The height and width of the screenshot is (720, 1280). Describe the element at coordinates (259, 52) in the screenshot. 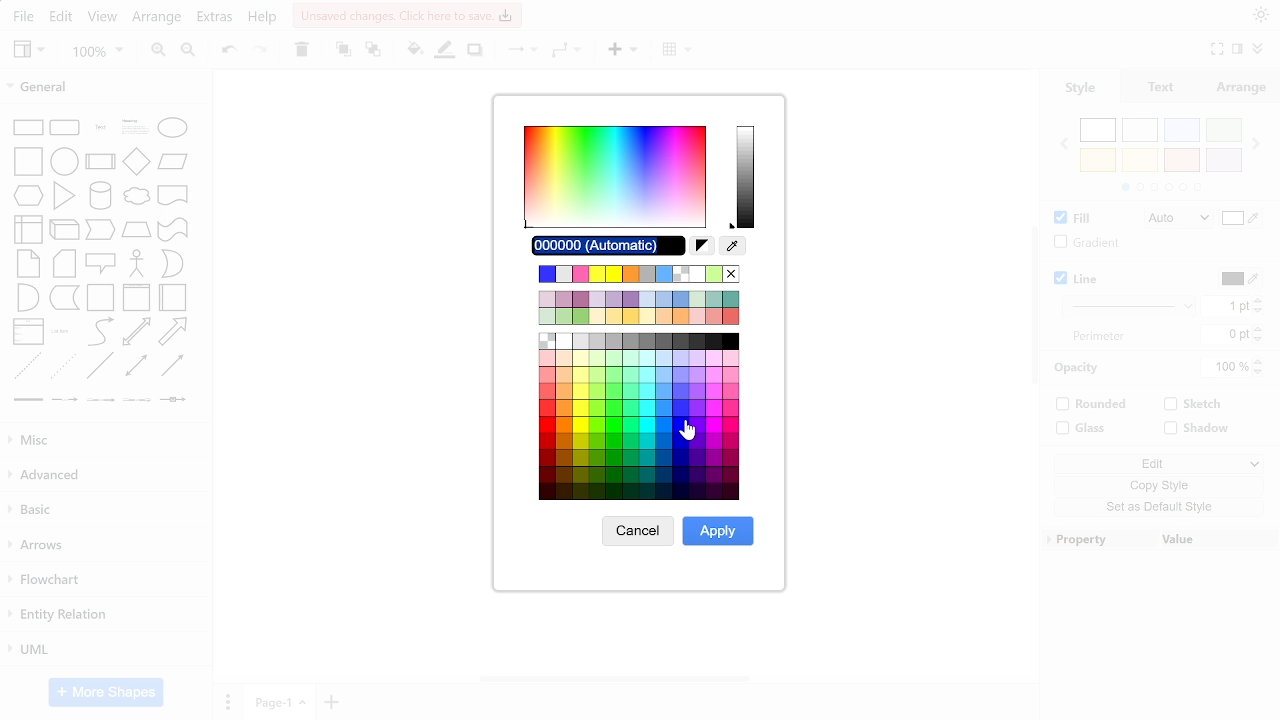

I see `redo` at that location.